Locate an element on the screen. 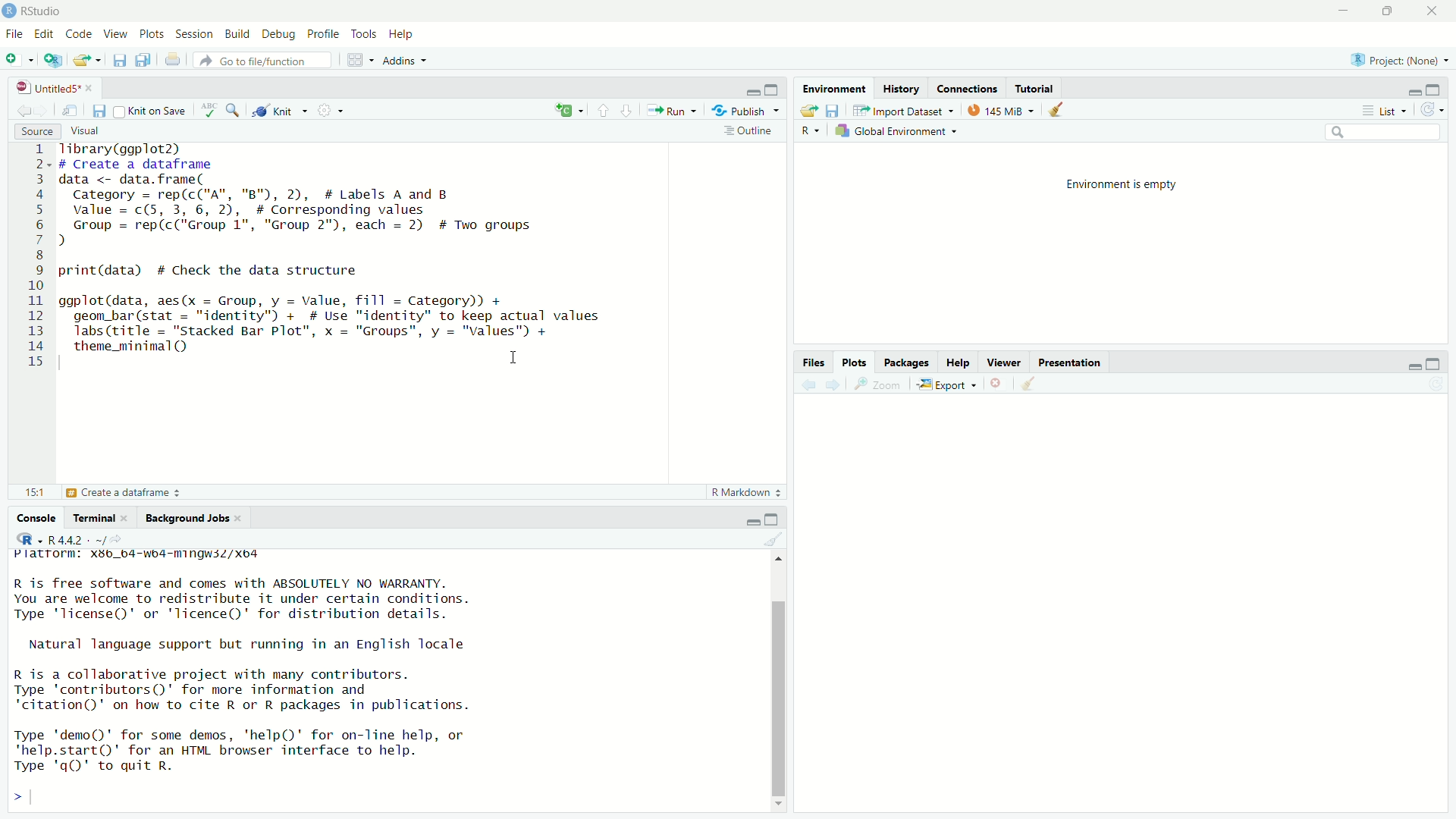 This screenshot has height=819, width=1456. R is located at coordinates (811, 131).